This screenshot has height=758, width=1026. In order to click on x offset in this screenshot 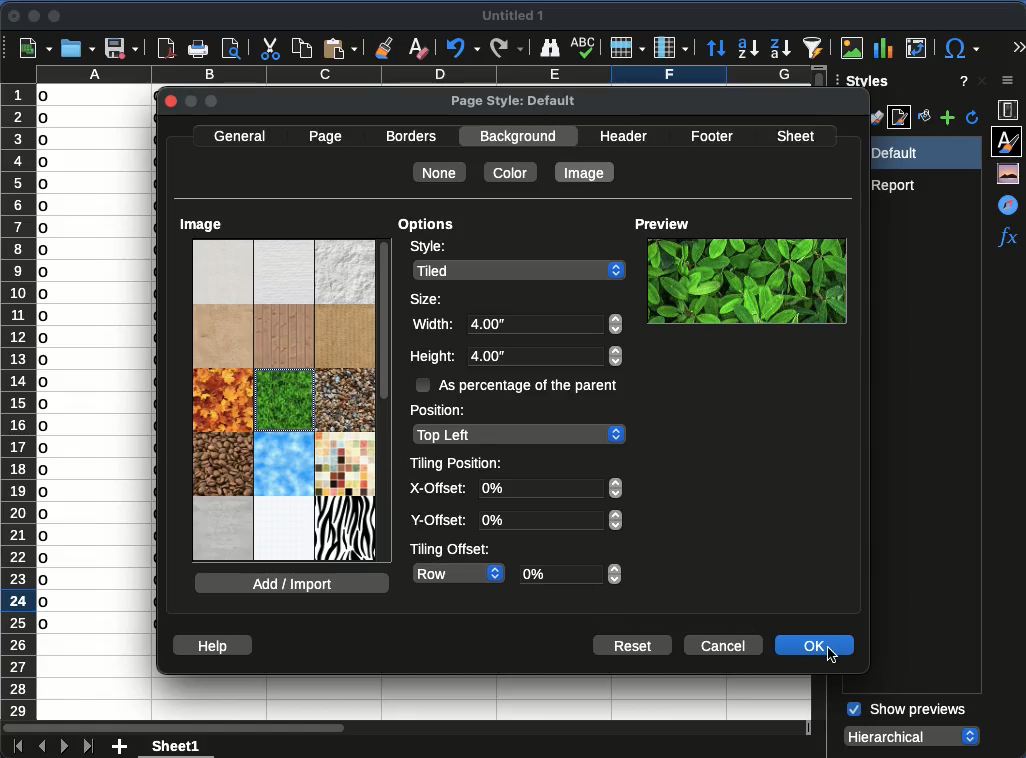, I will do `click(438, 490)`.